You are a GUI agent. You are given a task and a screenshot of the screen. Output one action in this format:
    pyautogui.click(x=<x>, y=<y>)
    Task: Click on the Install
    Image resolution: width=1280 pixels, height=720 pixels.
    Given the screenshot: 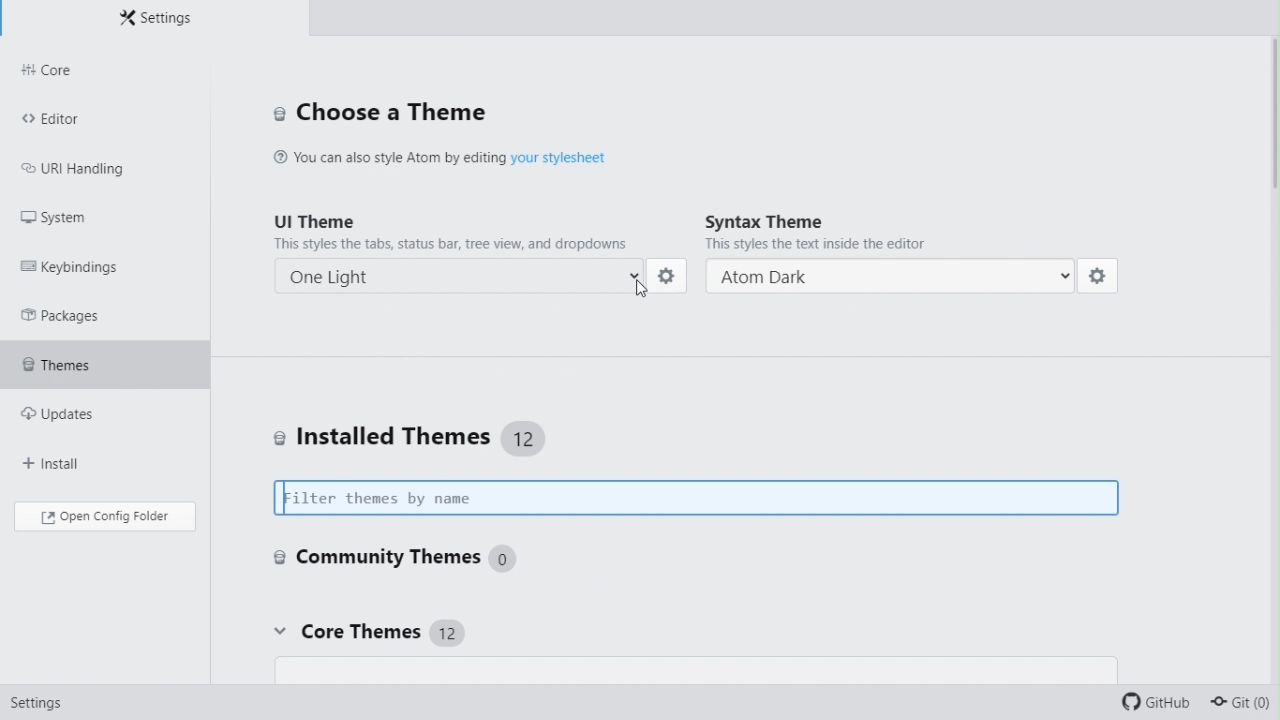 What is the action you would take?
    pyautogui.click(x=68, y=463)
    